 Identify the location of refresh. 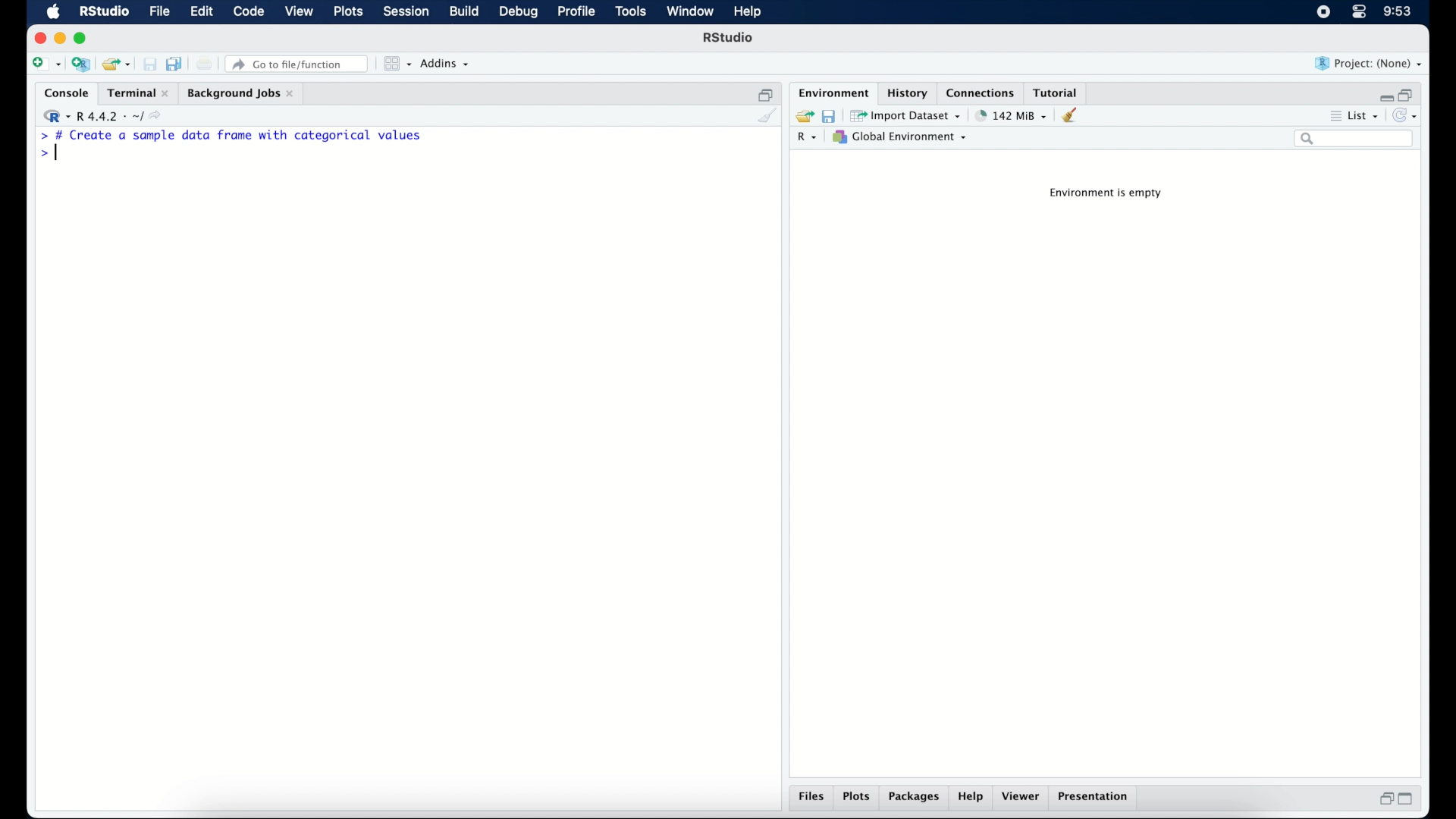
(1407, 115).